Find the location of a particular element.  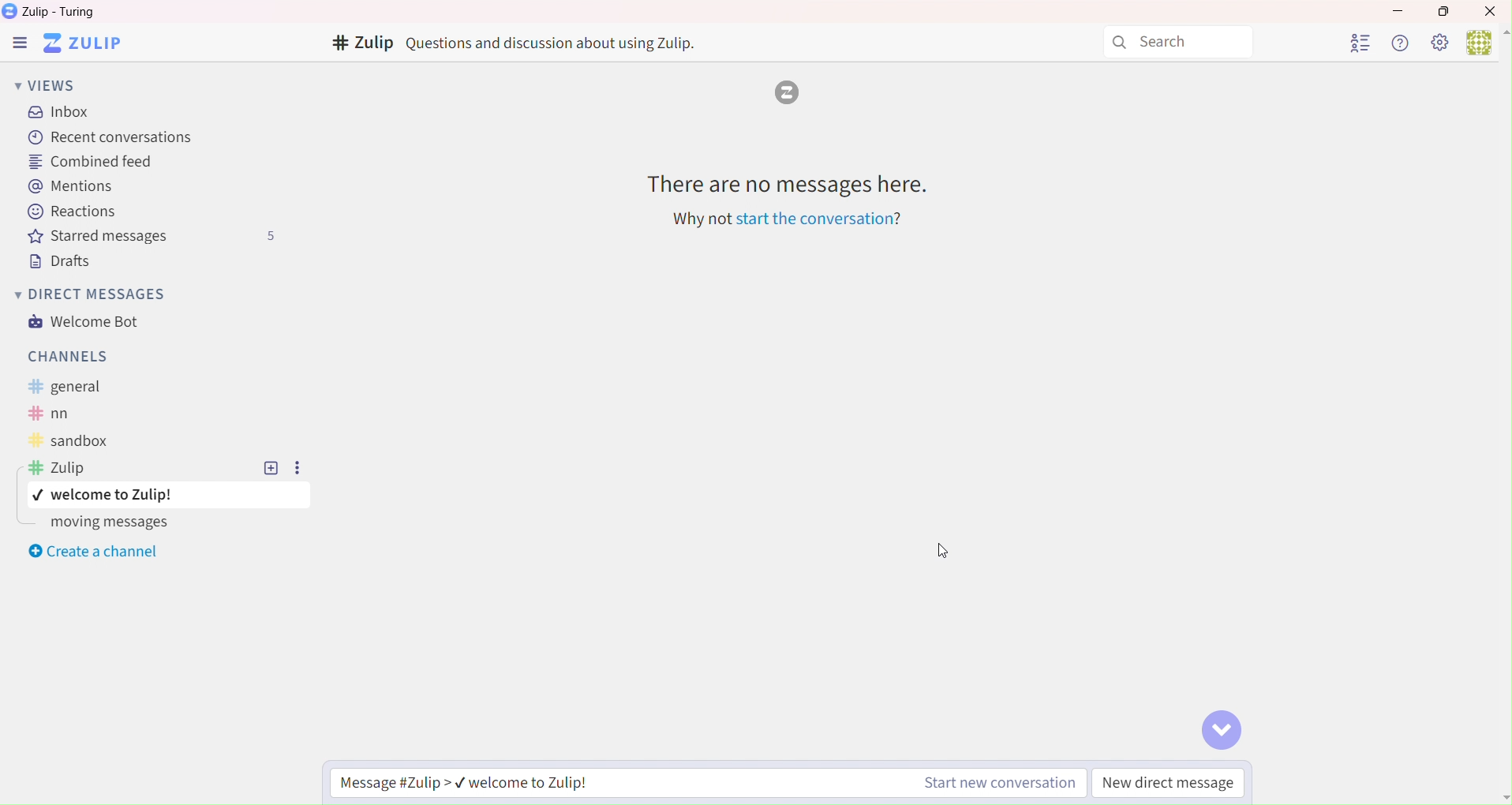

Close is located at coordinates (1489, 12).